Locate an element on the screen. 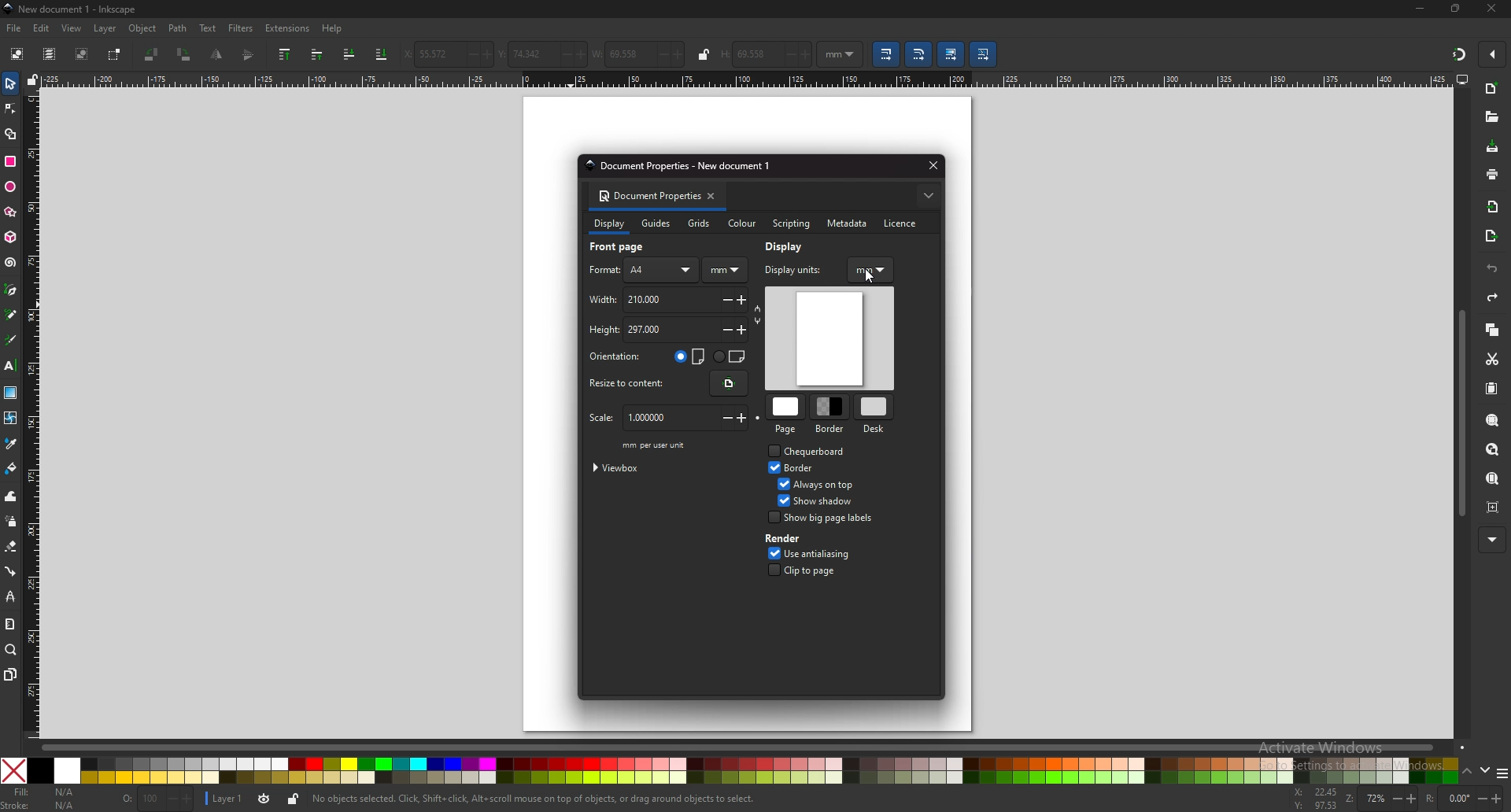 The width and height of the screenshot is (1511, 812). always on top is located at coordinates (827, 484).